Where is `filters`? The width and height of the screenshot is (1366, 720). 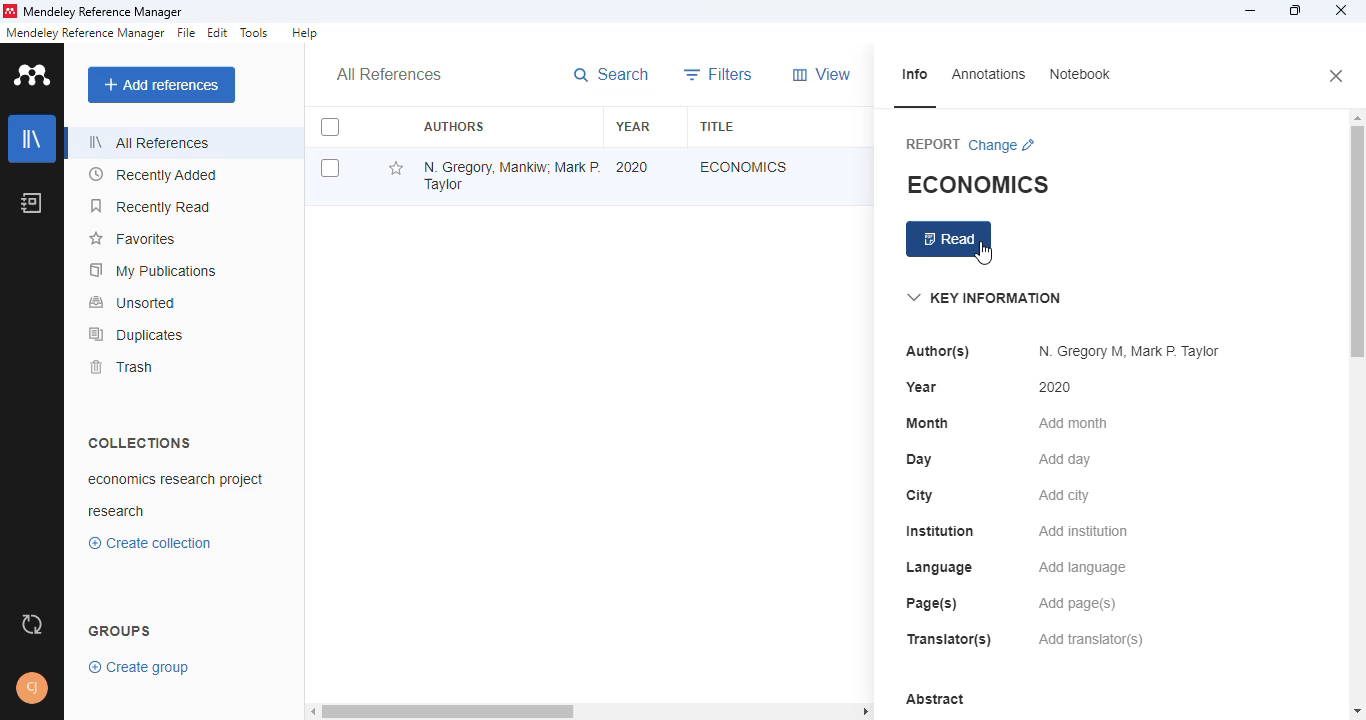
filters is located at coordinates (720, 74).